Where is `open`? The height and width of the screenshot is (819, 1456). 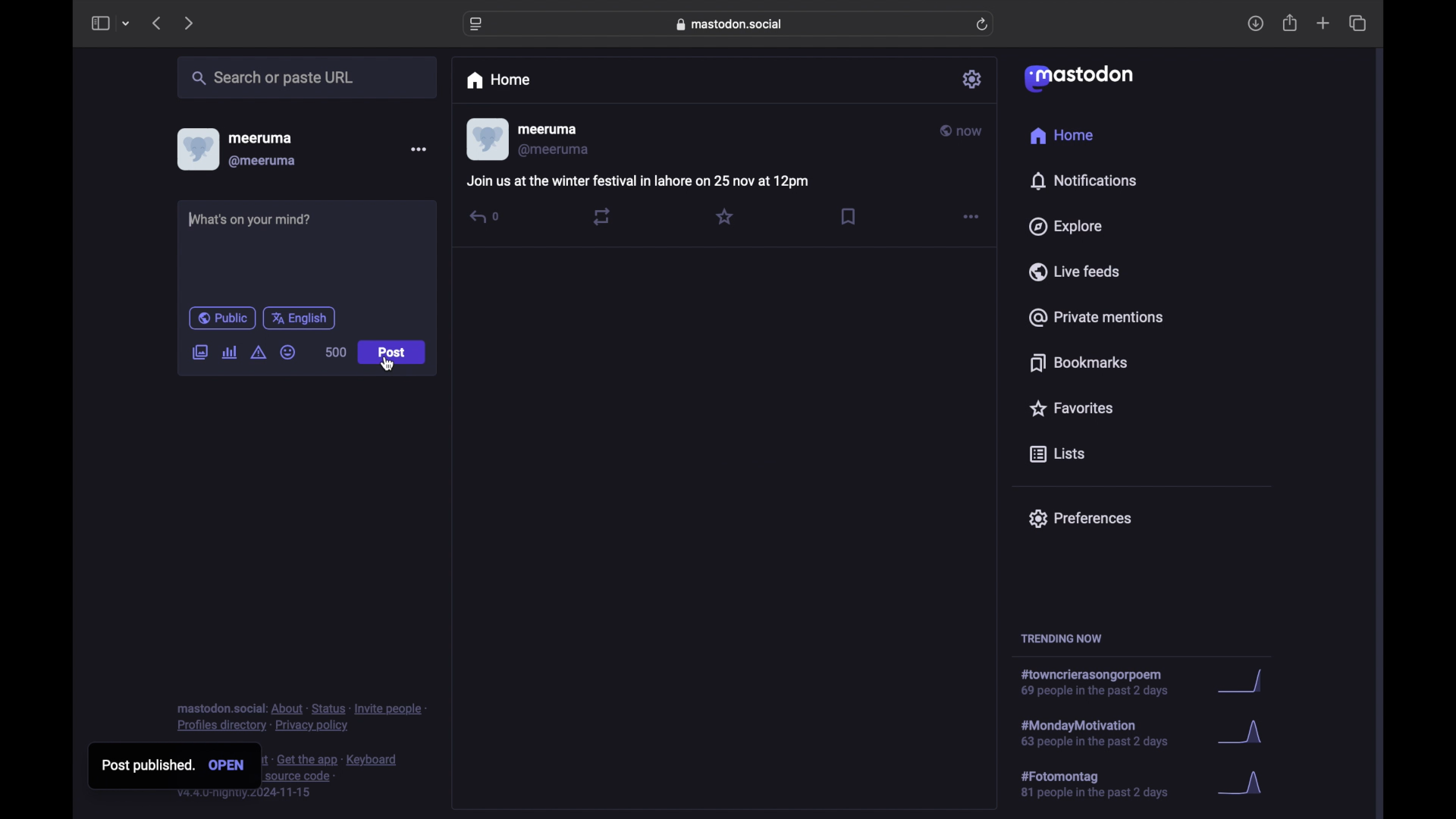 open is located at coordinates (231, 767).